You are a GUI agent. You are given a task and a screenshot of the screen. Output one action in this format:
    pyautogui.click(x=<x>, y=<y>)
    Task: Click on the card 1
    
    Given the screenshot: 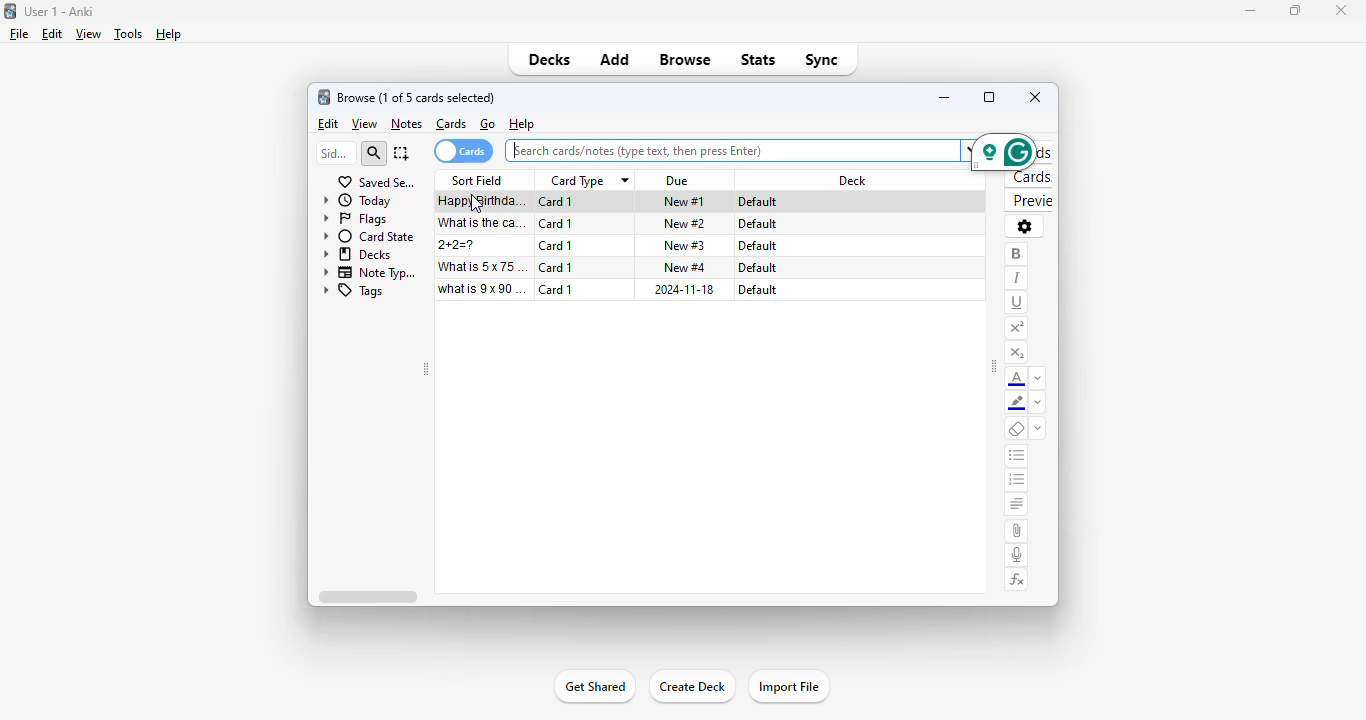 What is the action you would take?
    pyautogui.click(x=555, y=246)
    